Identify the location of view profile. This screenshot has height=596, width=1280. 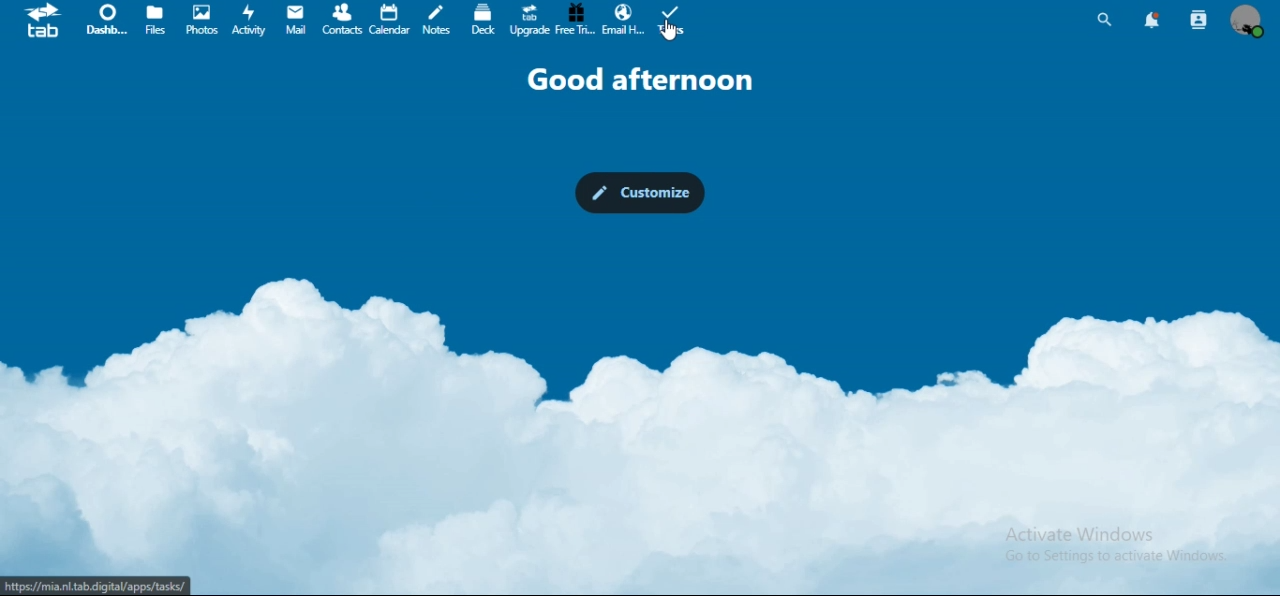
(1250, 24).